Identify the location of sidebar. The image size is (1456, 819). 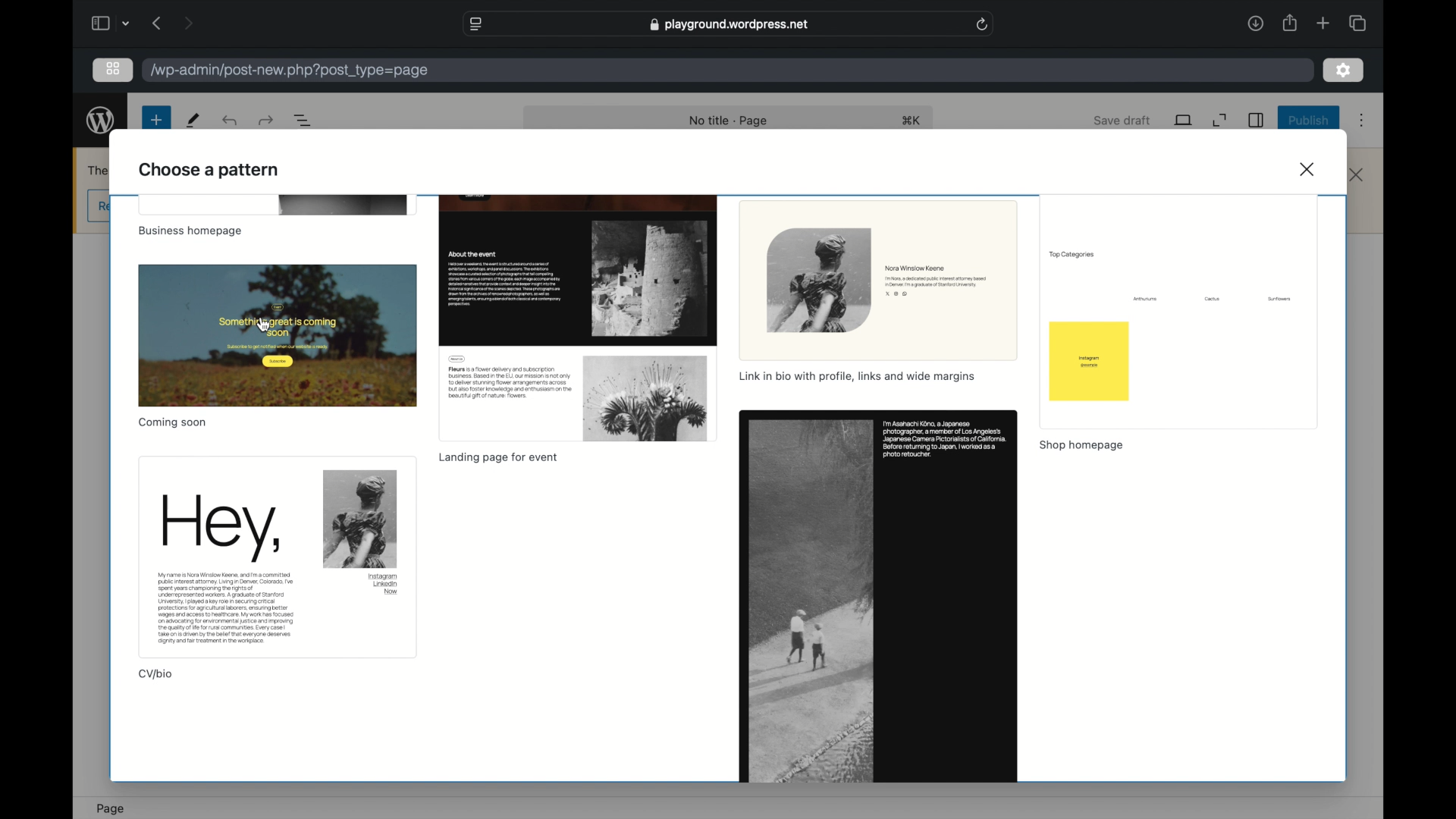
(99, 23).